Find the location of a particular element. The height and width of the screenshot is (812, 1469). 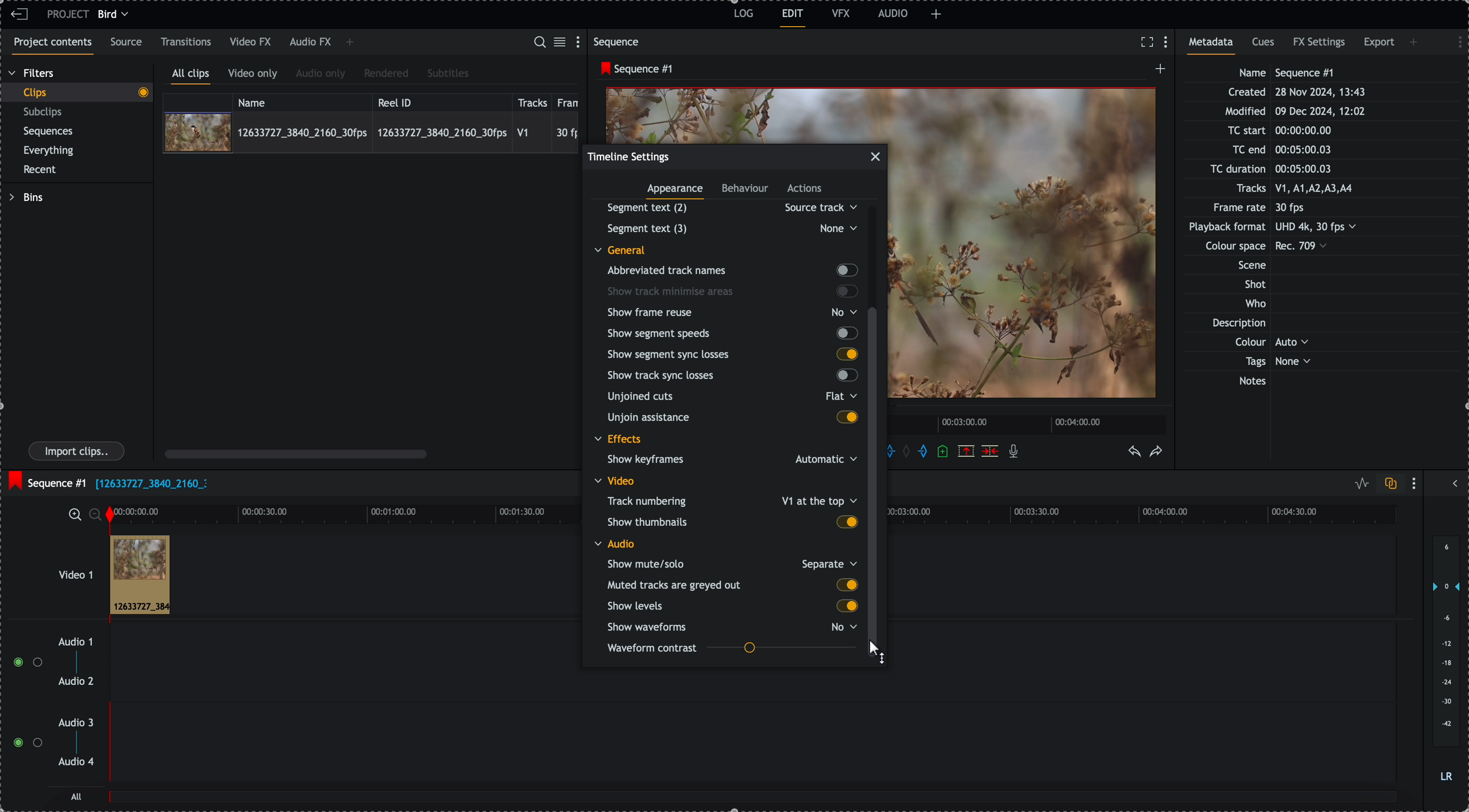

project bird is located at coordinates (91, 14).